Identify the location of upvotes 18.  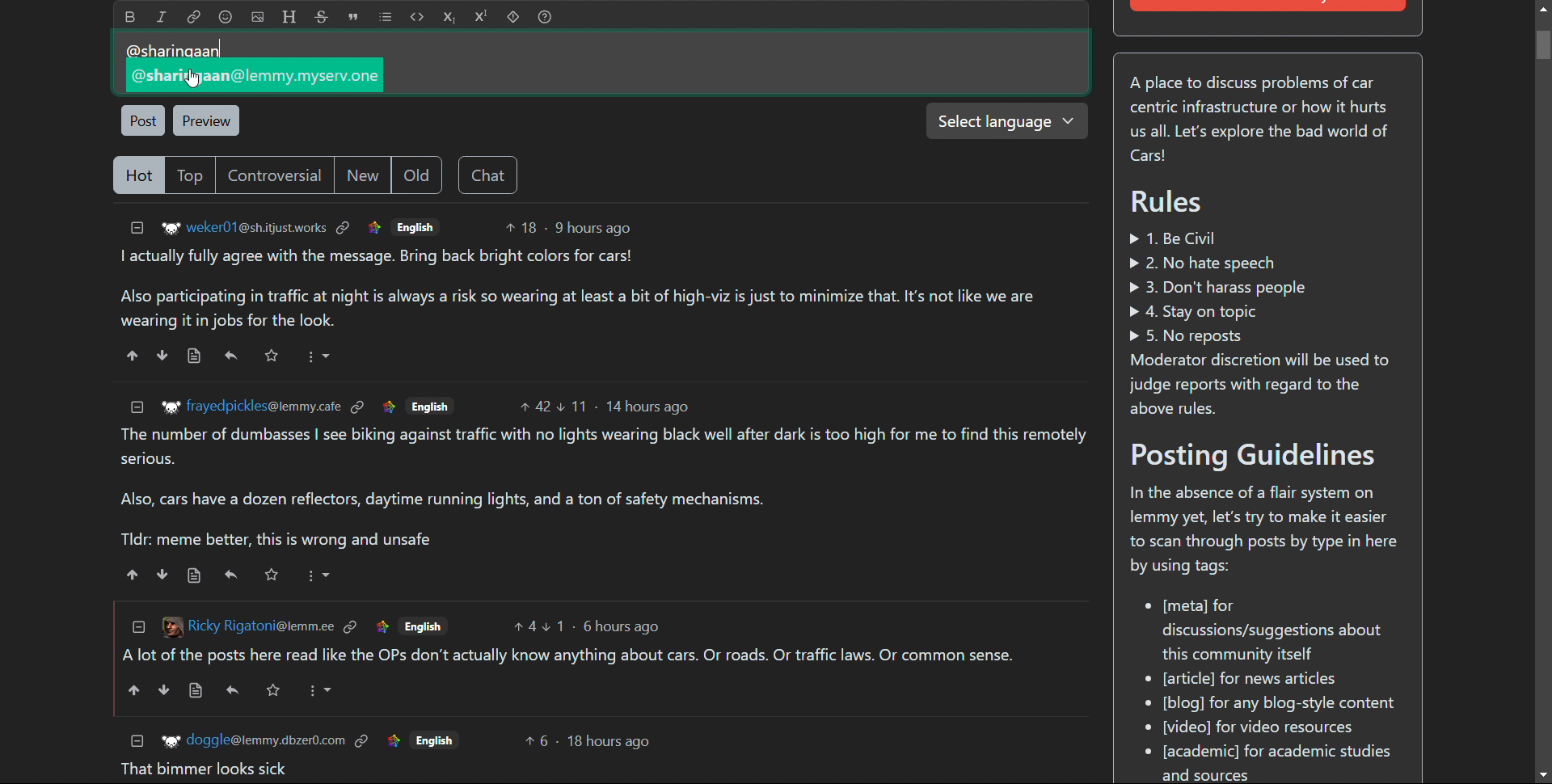
(521, 227).